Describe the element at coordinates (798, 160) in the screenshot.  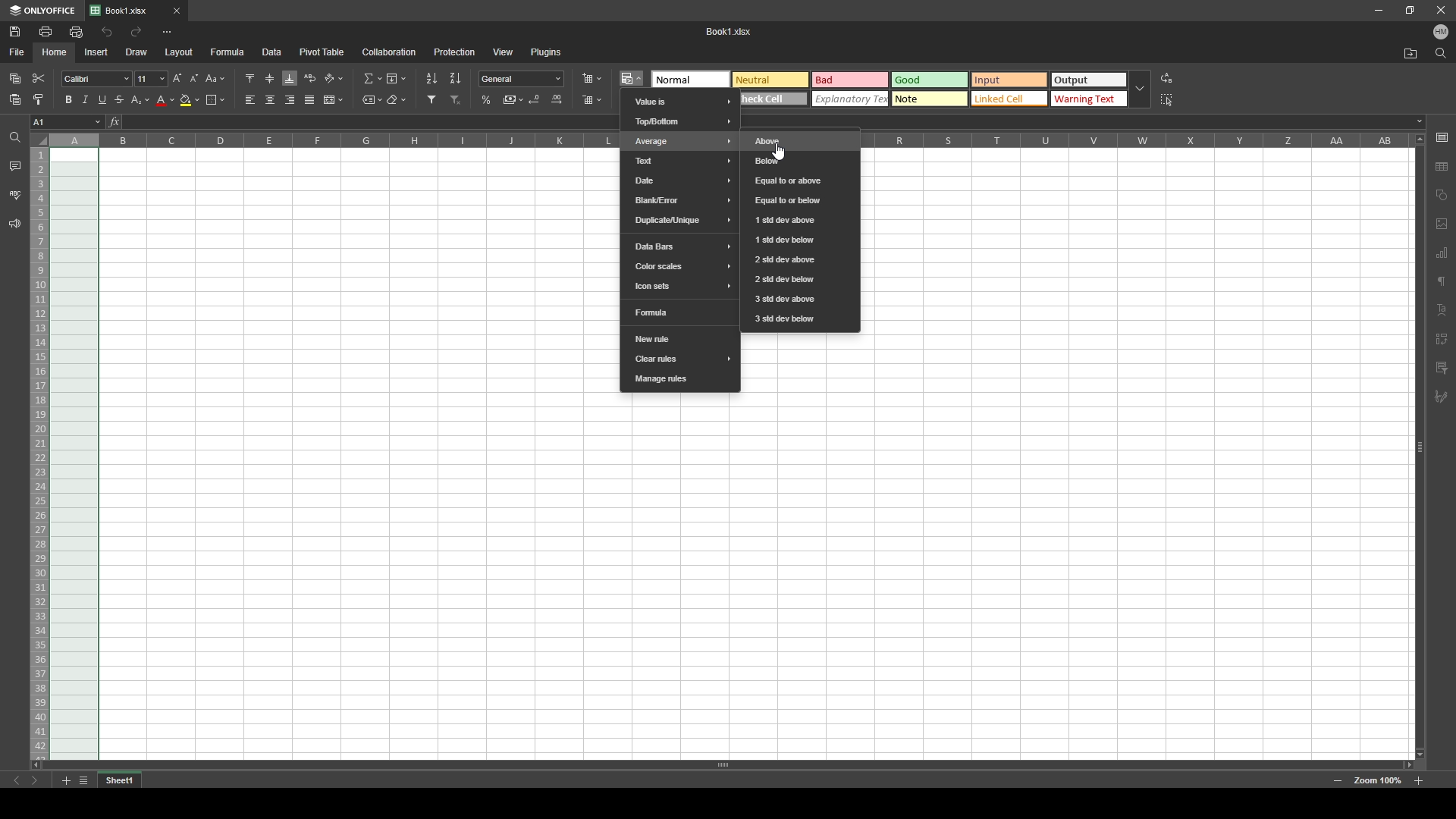
I see `below` at that location.